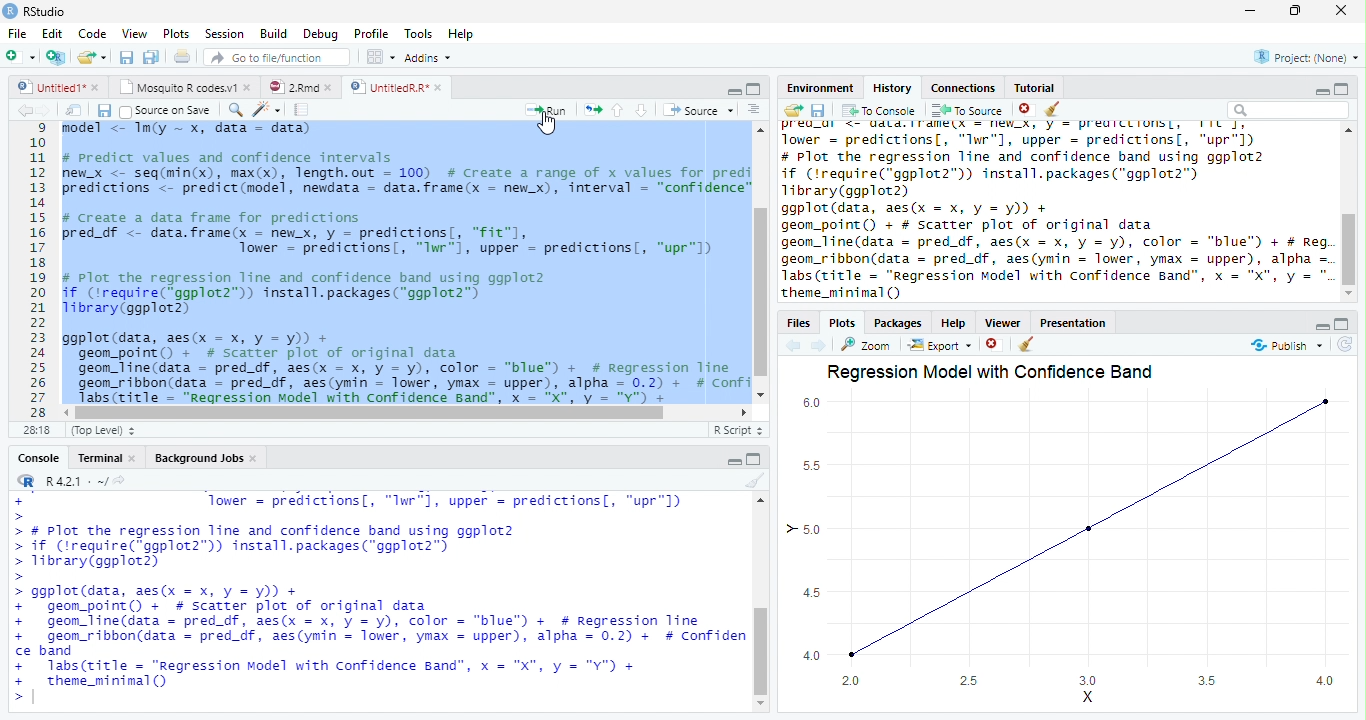  What do you see at coordinates (22, 111) in the screenshot?
I see `back` at bounding box center [22, 111].